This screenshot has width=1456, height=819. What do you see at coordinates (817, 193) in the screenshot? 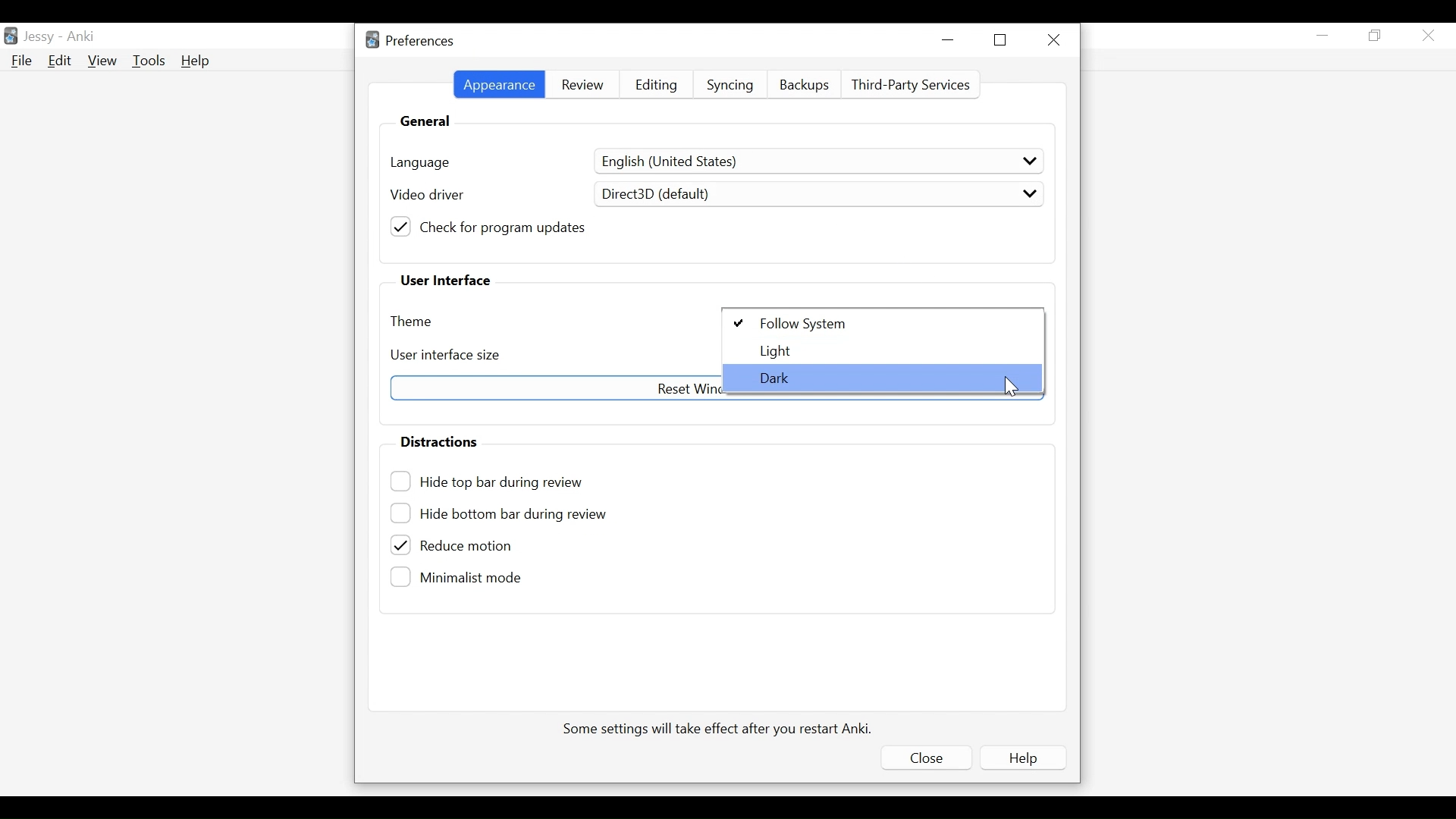
I see `Direct3D (default)` at bounding box center [817, 193].